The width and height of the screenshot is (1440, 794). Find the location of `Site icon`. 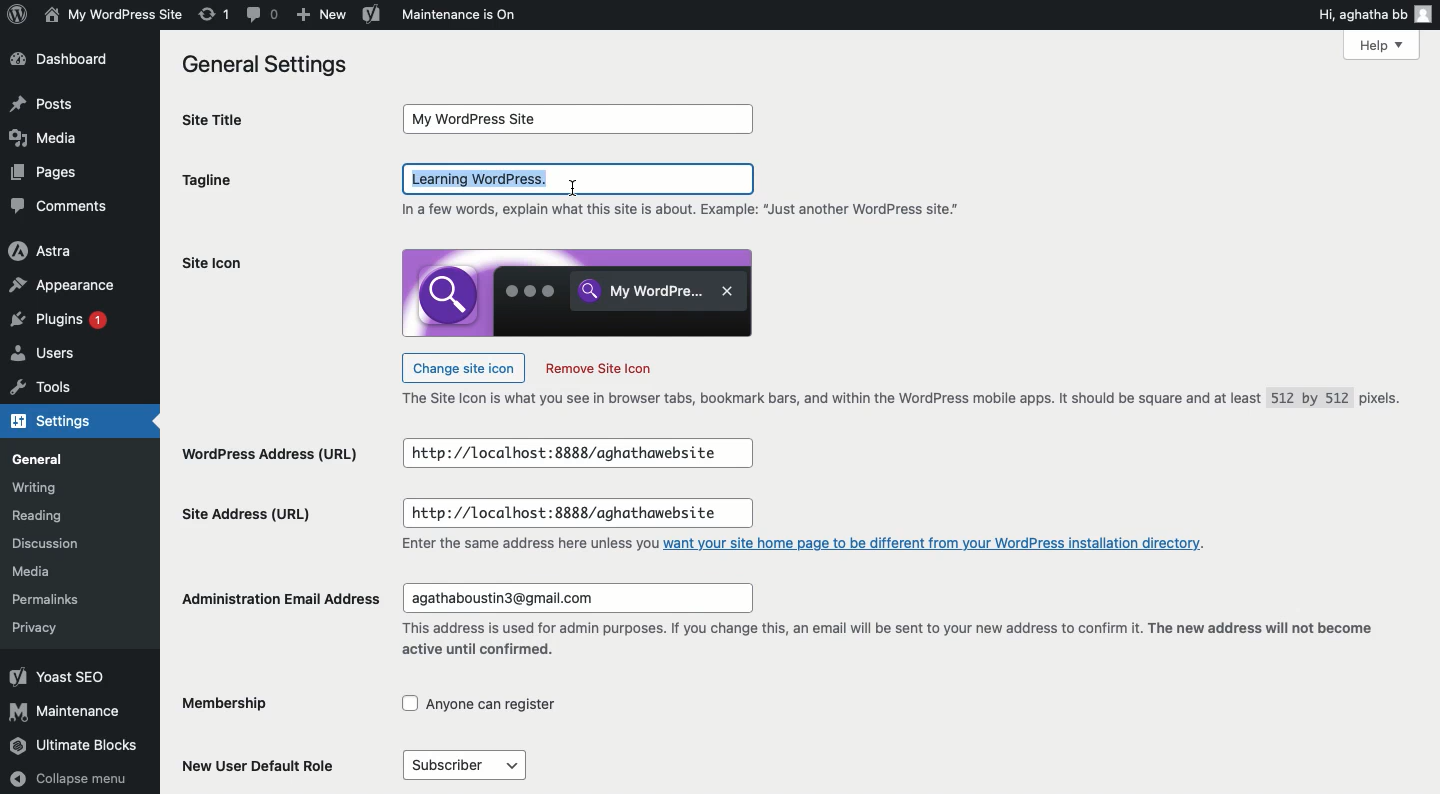

Site icon is located at coordinates (212, 263).